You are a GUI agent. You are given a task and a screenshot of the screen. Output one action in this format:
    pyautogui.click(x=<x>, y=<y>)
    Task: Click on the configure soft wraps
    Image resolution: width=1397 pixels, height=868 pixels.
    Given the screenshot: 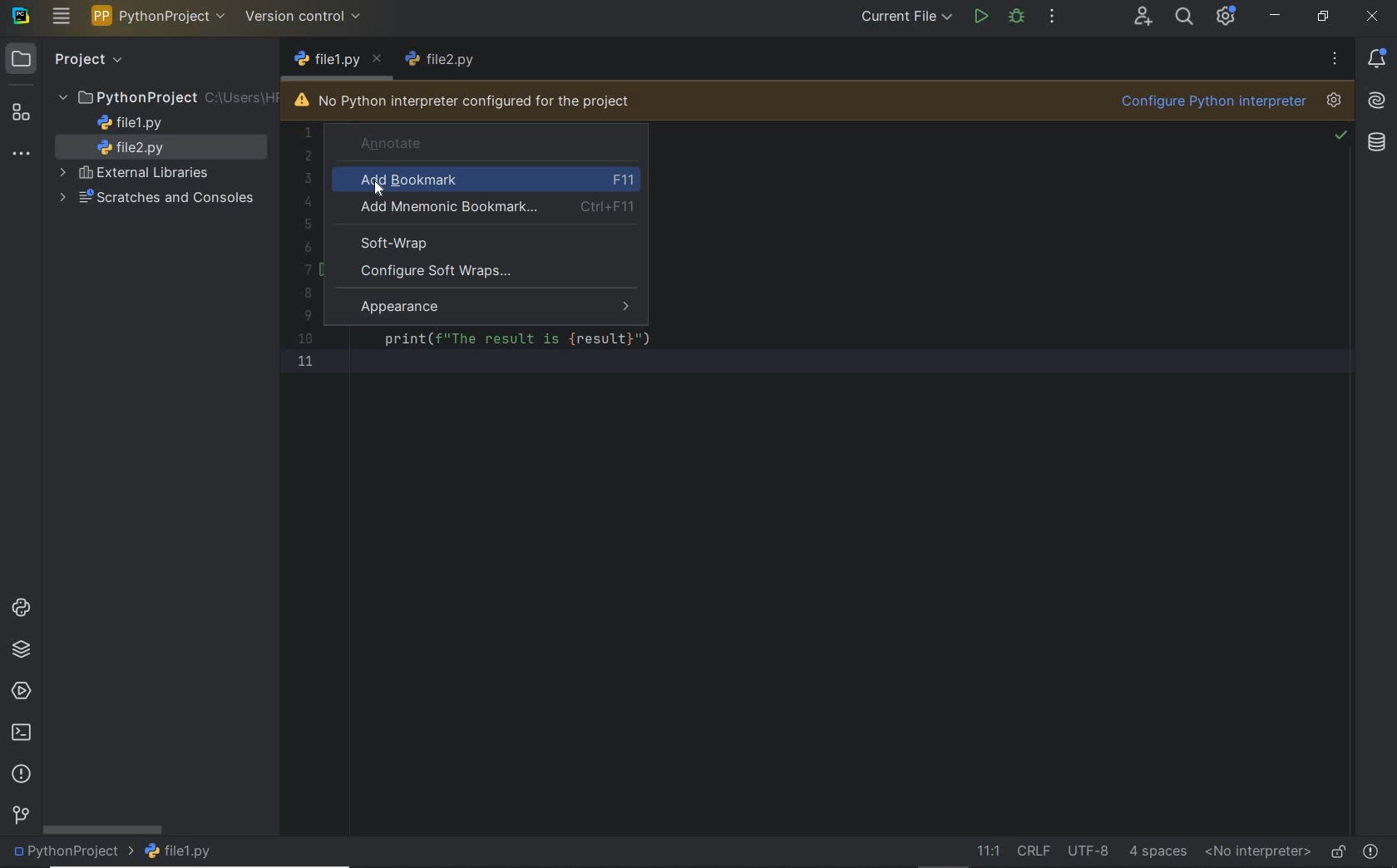 What is the action you would take?
    pyautogui.click(x=442, y=272)
    